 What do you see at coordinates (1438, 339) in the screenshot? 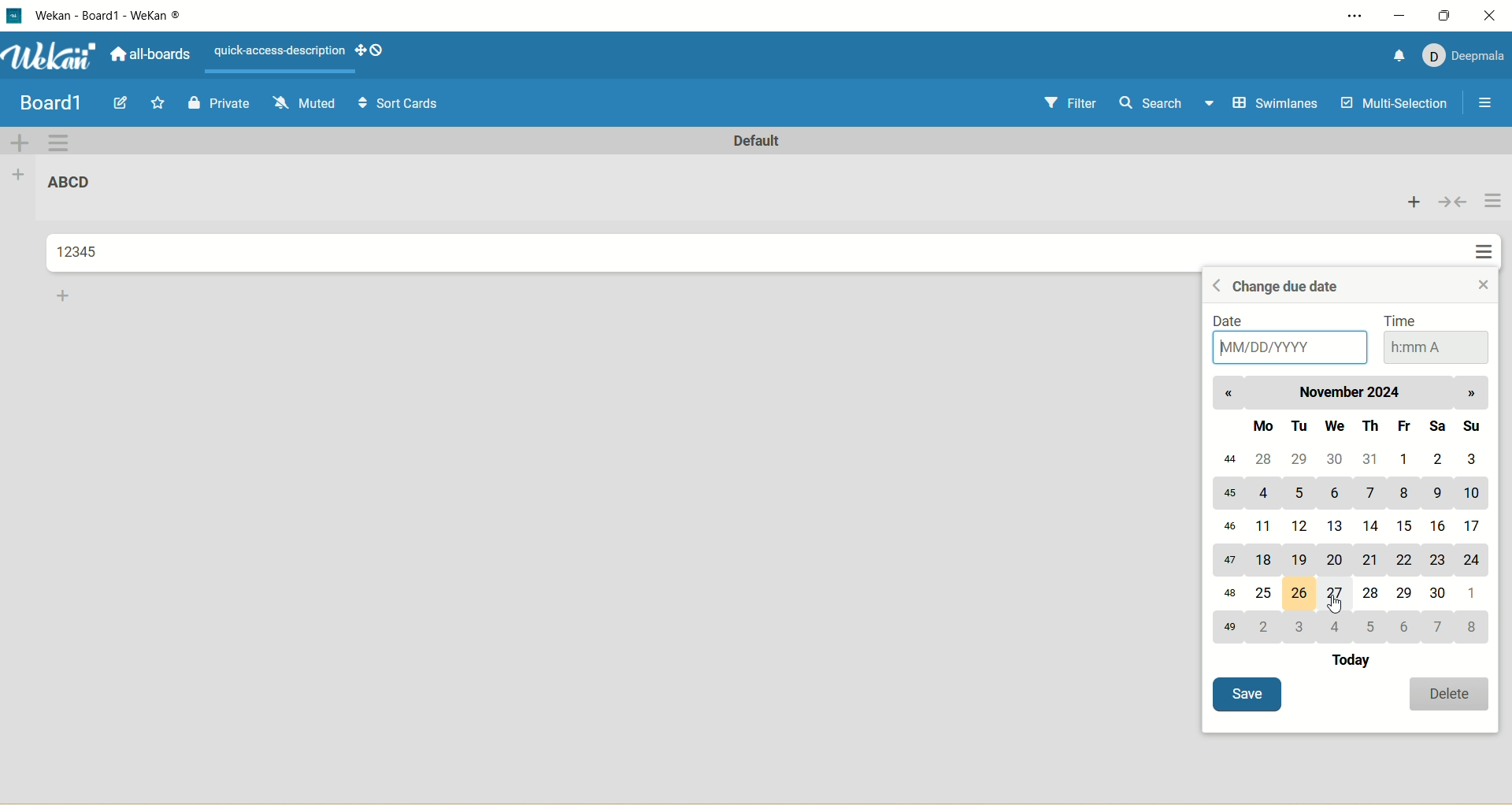
I see `time` at bounding box center [1438, 339].